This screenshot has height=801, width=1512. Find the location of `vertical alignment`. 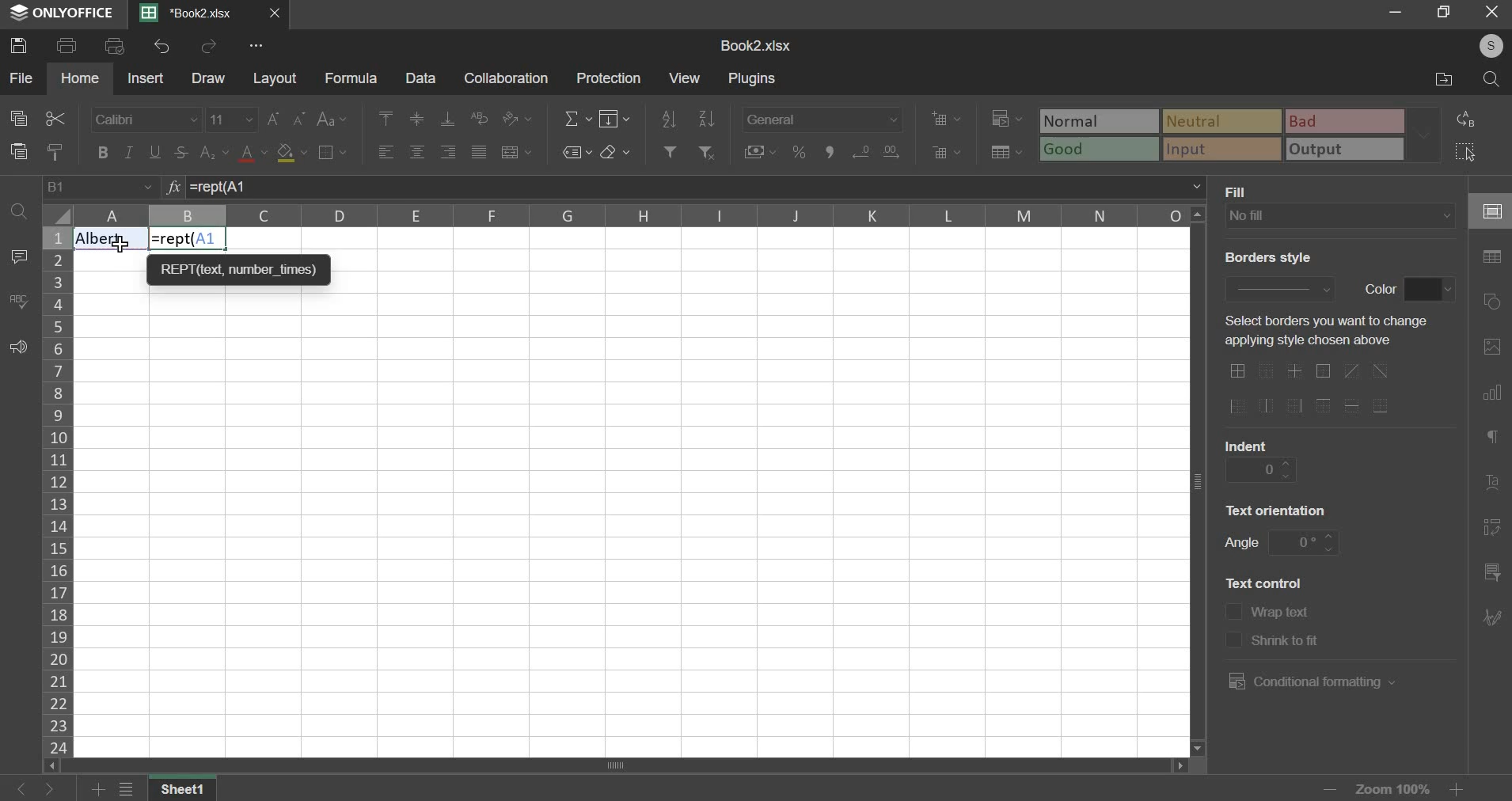

vertical alignment is located at coordinates (418, 120).